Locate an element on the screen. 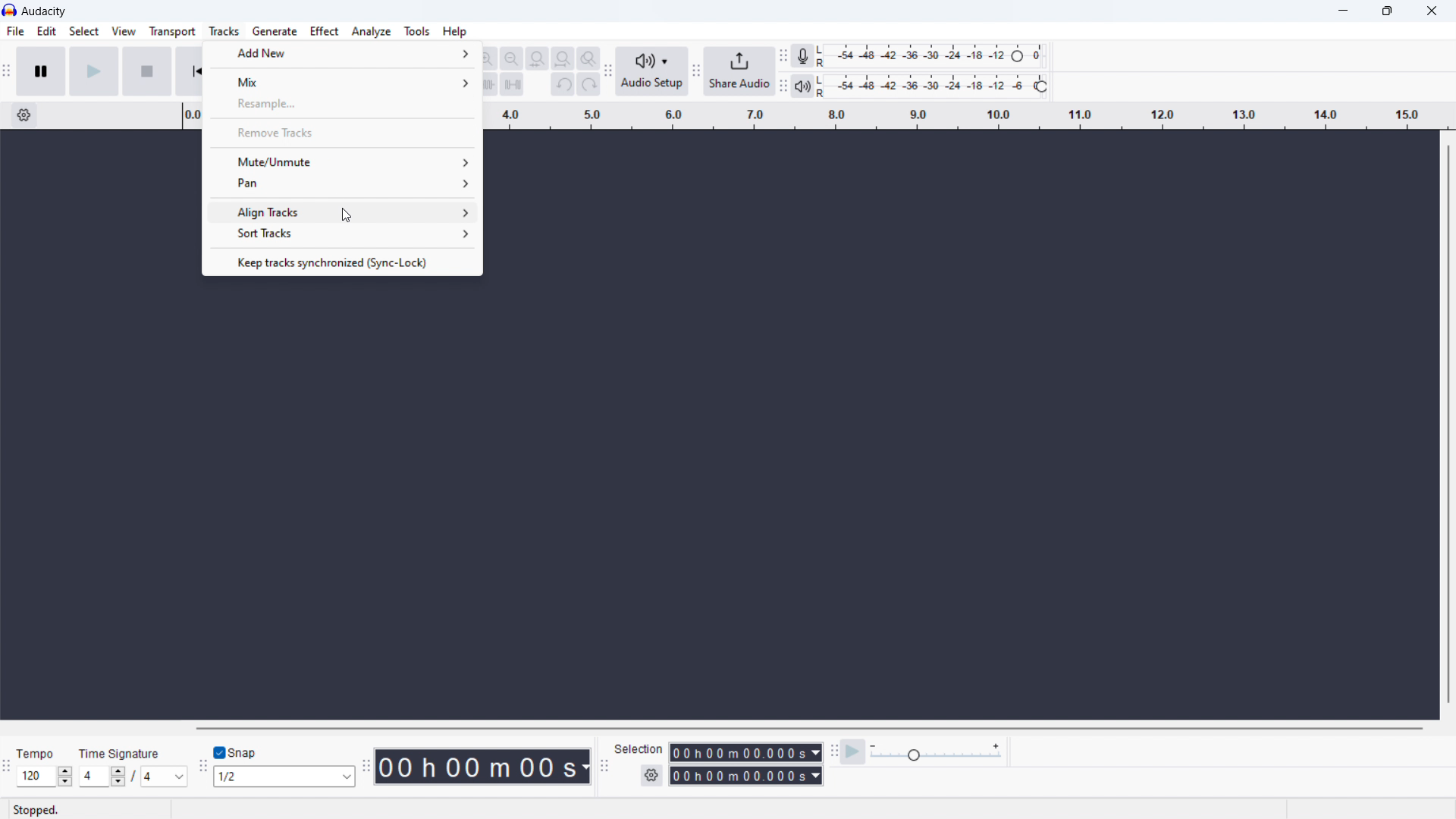  view is located at coordinates (123, 30).